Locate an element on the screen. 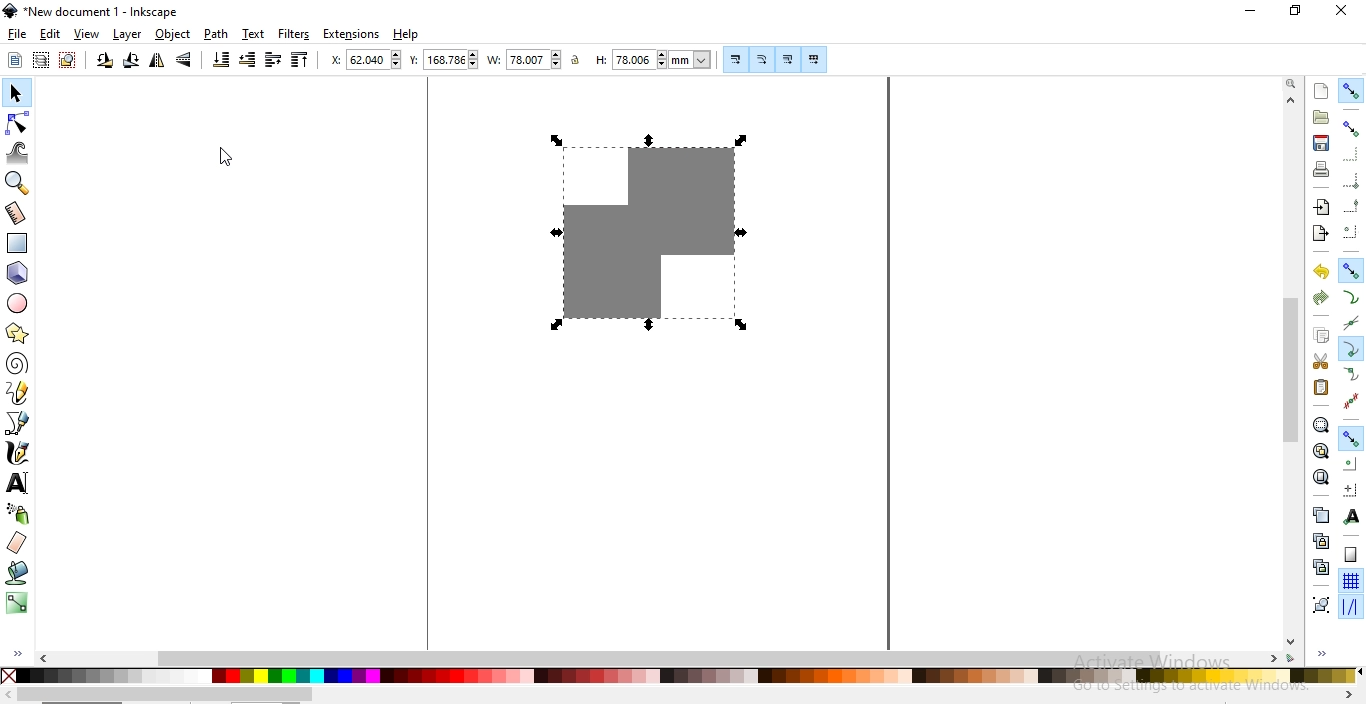 The width and height of the screenshot is (1366, 704). spray objects by sculpting or painting is located at coordinates (18, 513).